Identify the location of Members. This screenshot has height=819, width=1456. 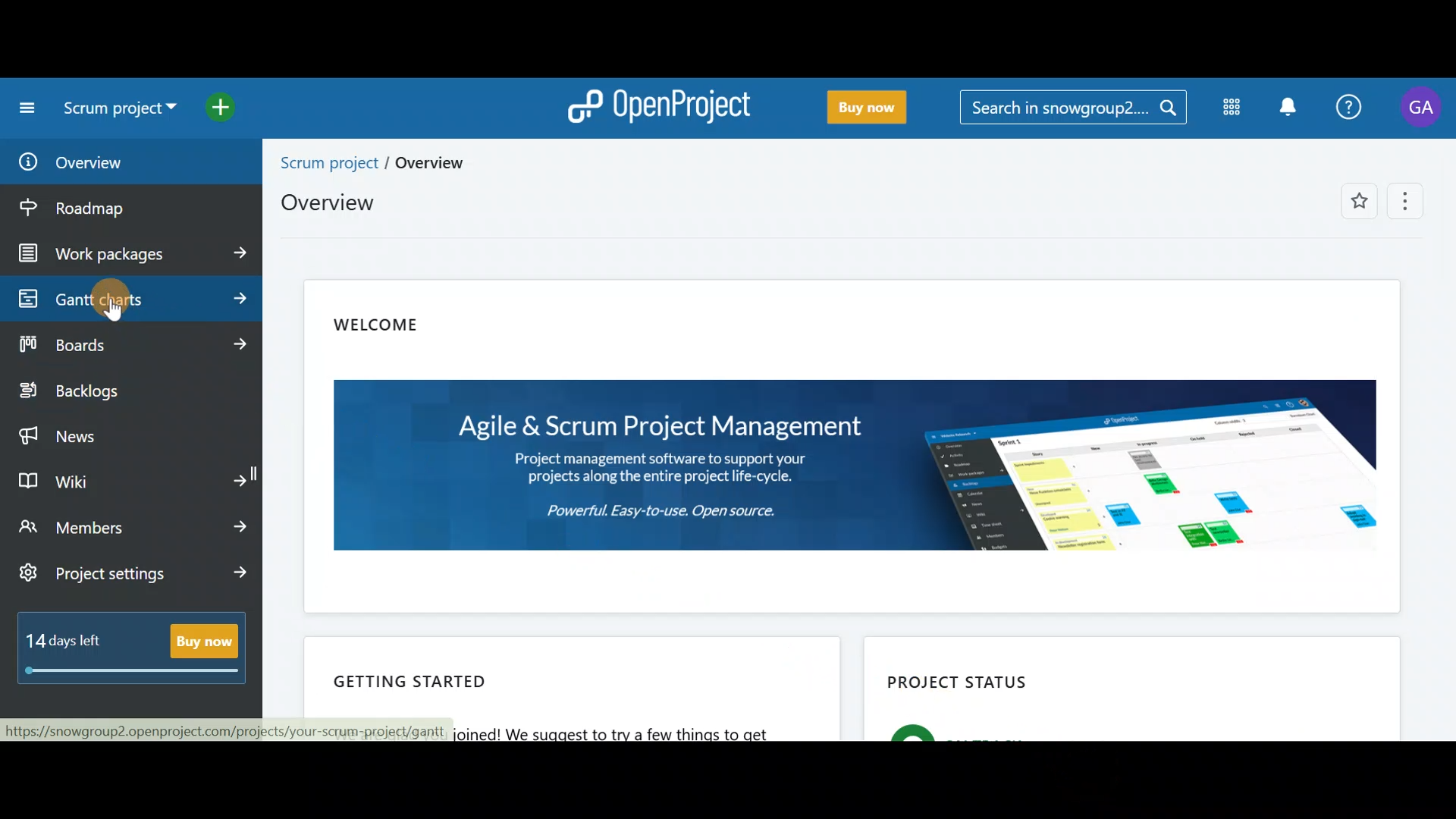
(129, 532).